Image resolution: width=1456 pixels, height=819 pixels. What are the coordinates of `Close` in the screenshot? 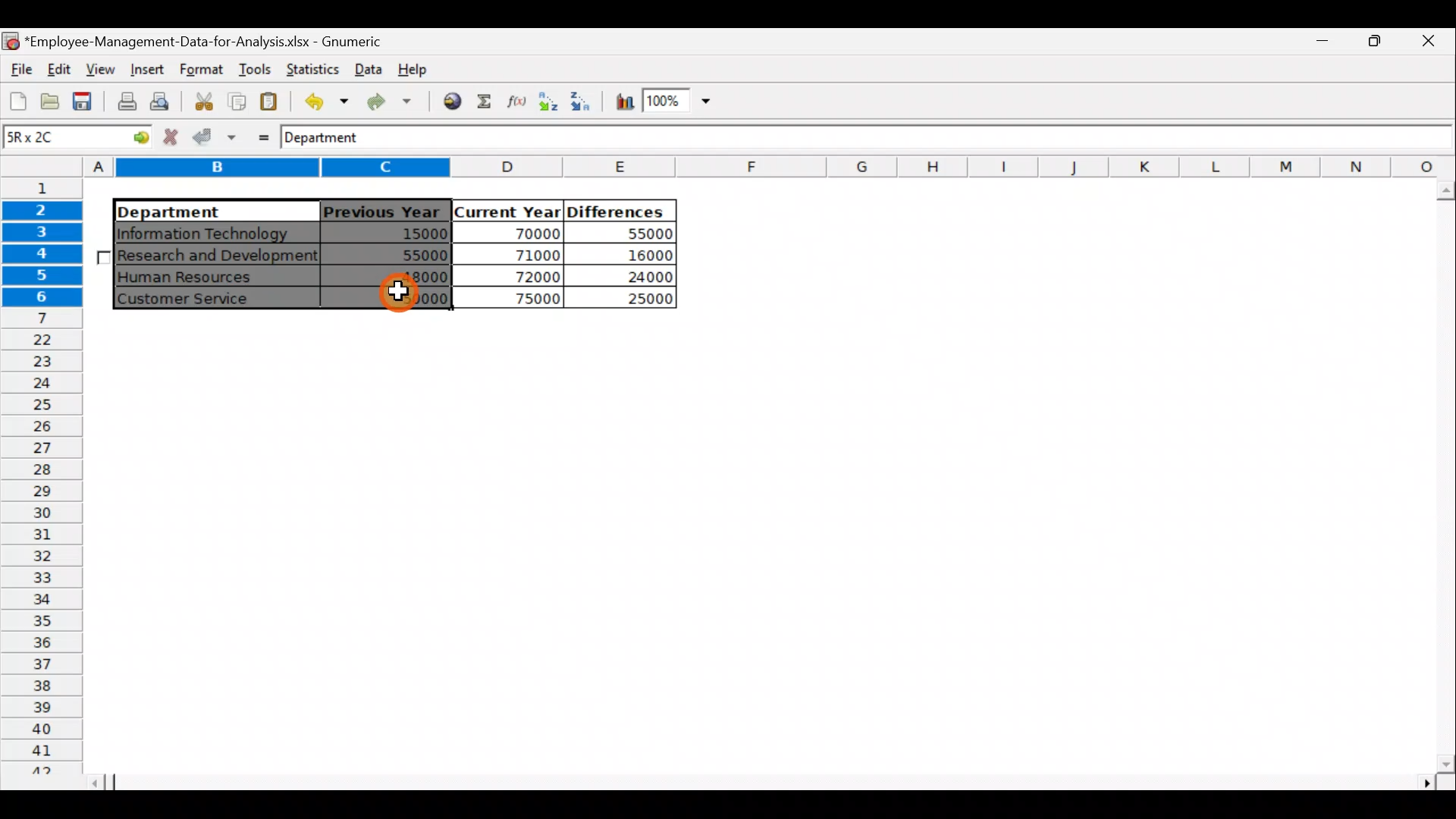 It's located at (1429, 43).